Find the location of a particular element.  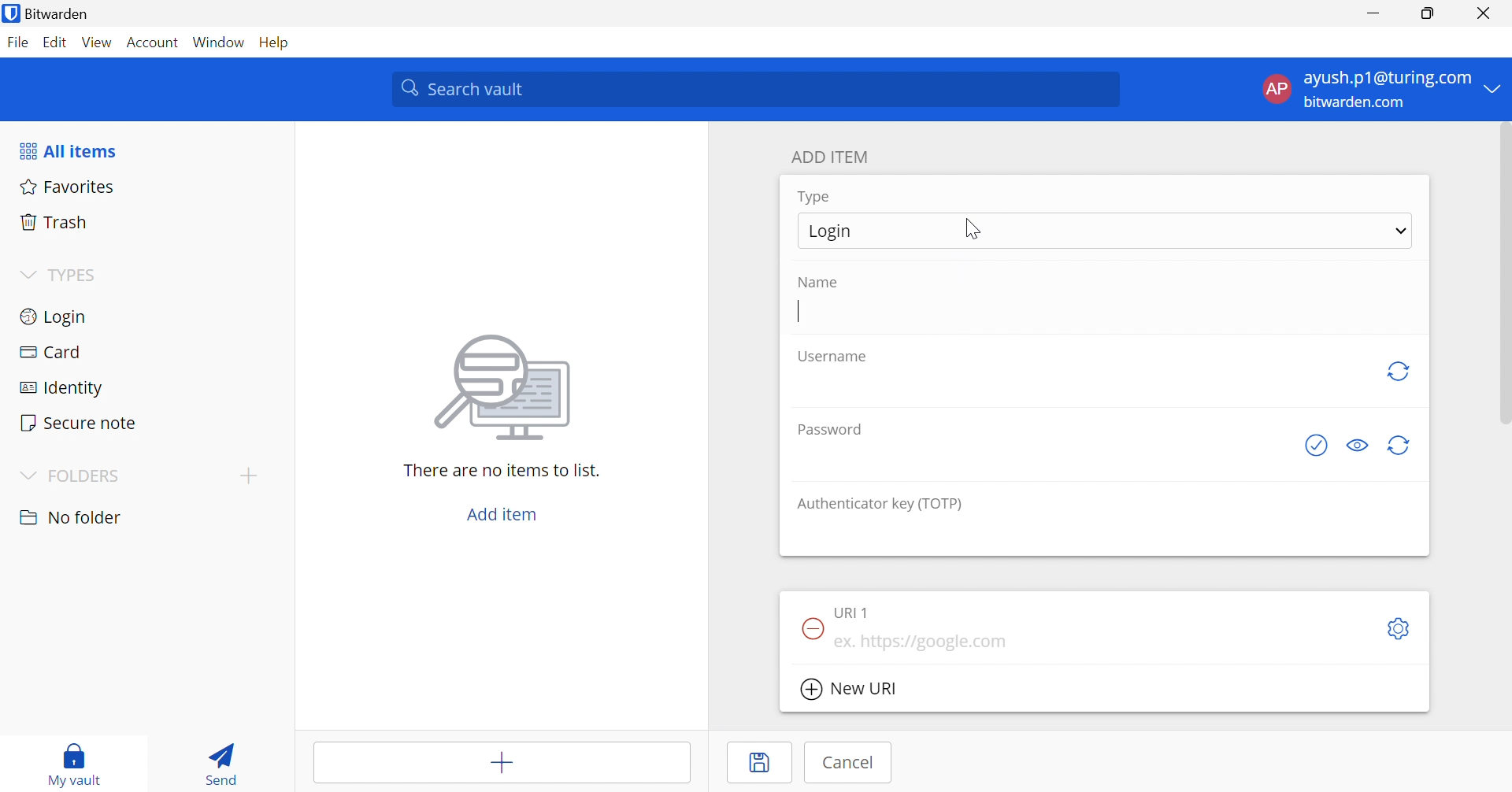

Check if password has been exposed is located at coordinates (850, 610).